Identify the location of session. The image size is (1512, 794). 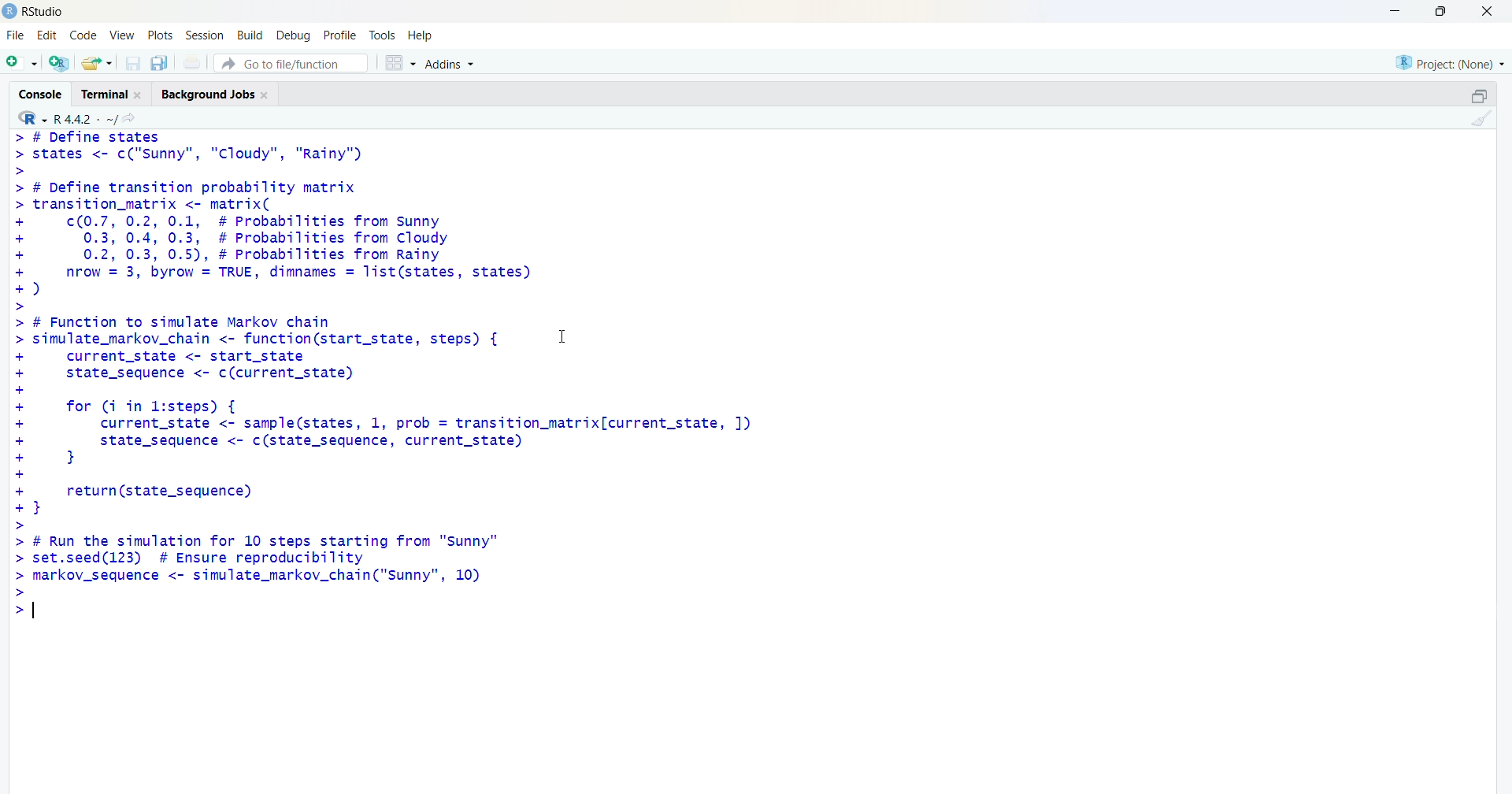
(206, 35).